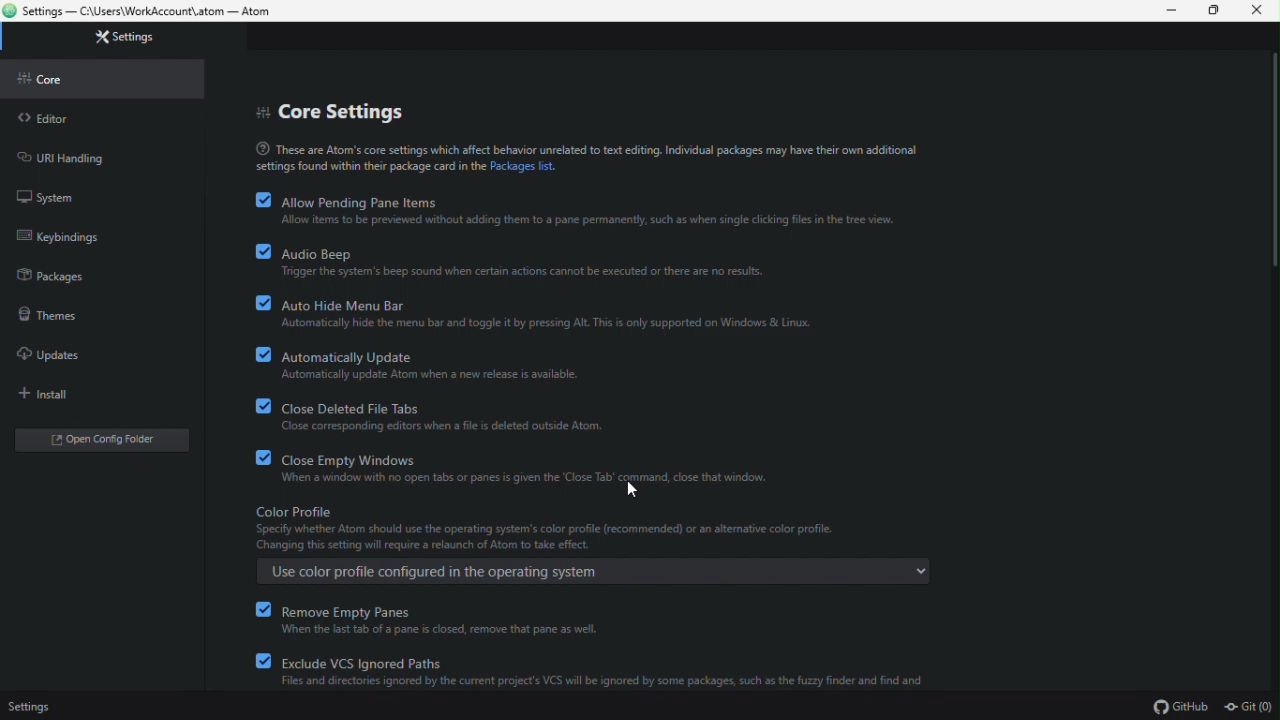 Image resolution: width=1280 pixels, height=720 pixels. Describe the element at coordinates (592, 529) in the screenshot. I see `color profile` at that location.